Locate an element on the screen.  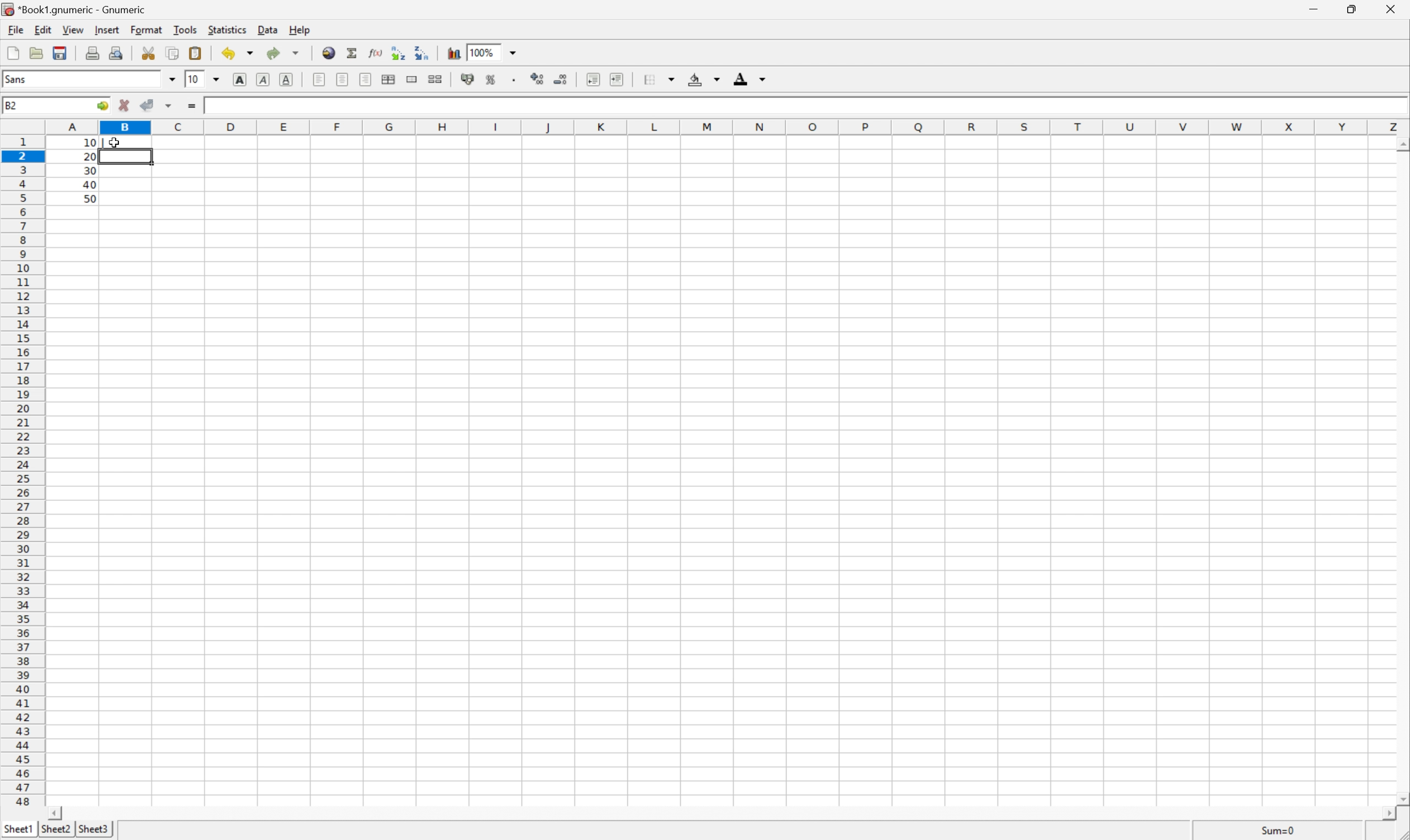
Edit a function in current cell is located at coordinates (378, 52).